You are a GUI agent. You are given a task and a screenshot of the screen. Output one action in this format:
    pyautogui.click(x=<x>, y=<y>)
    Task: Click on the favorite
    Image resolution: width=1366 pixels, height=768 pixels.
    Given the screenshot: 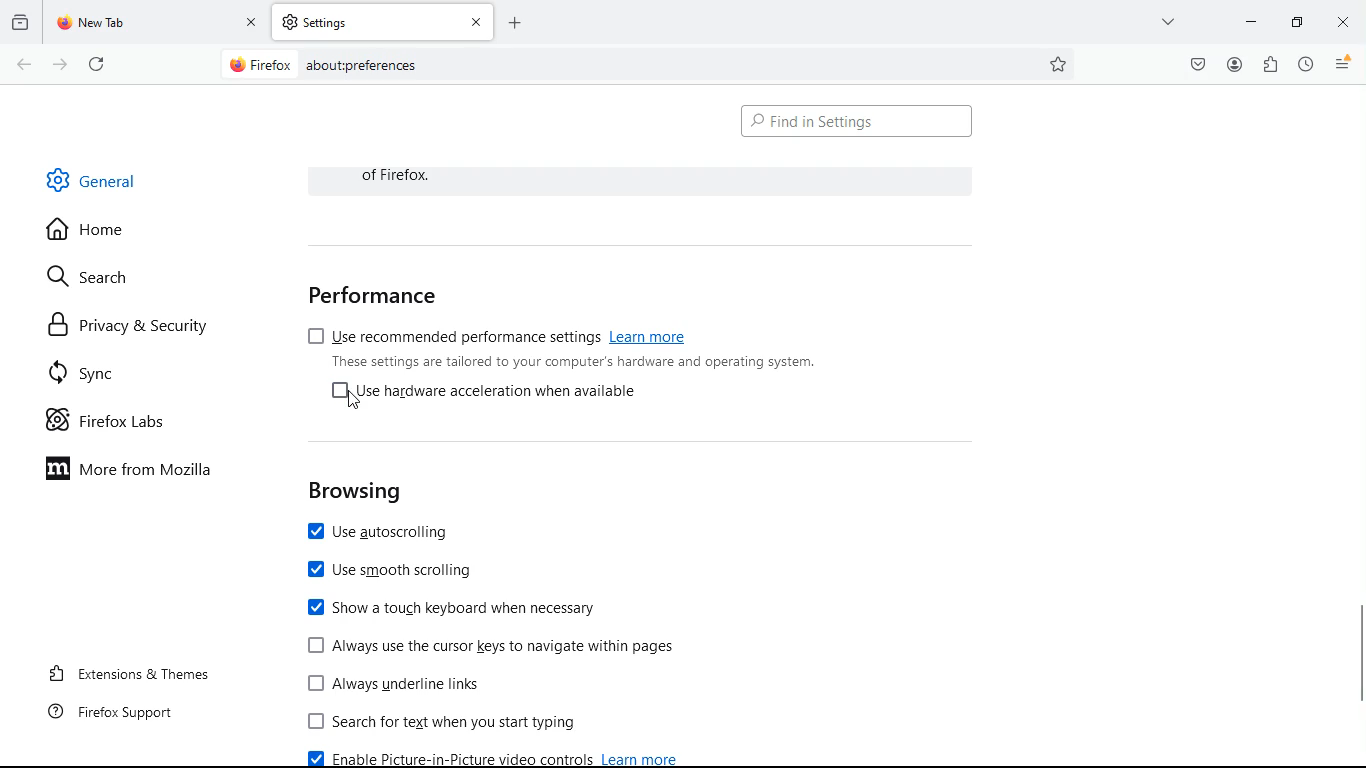 What is the action you would take?
    pyautogui.click(x=1059, y=65)
    